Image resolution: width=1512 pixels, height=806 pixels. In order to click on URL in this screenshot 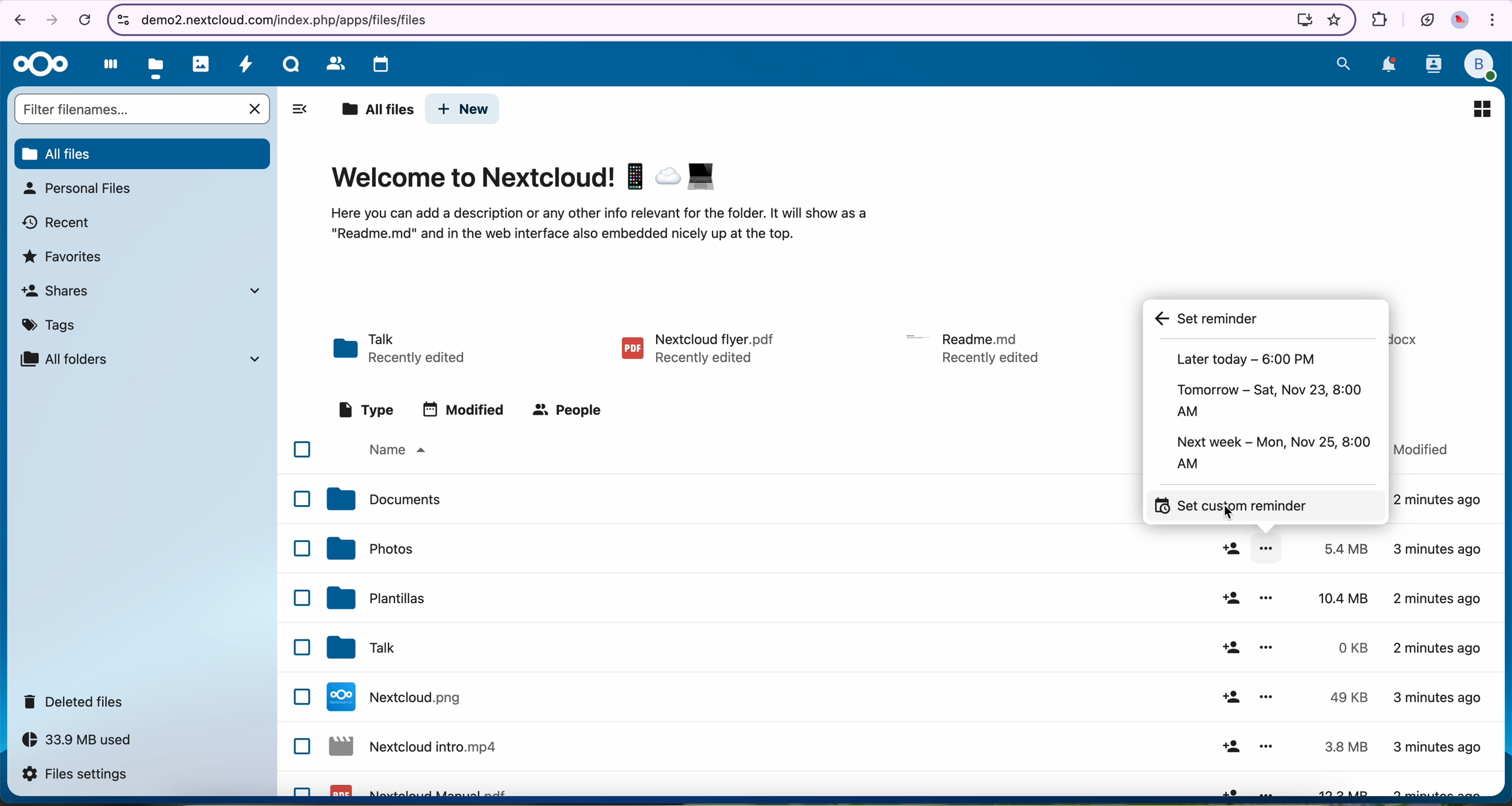, I will do `click(293, 19)`.